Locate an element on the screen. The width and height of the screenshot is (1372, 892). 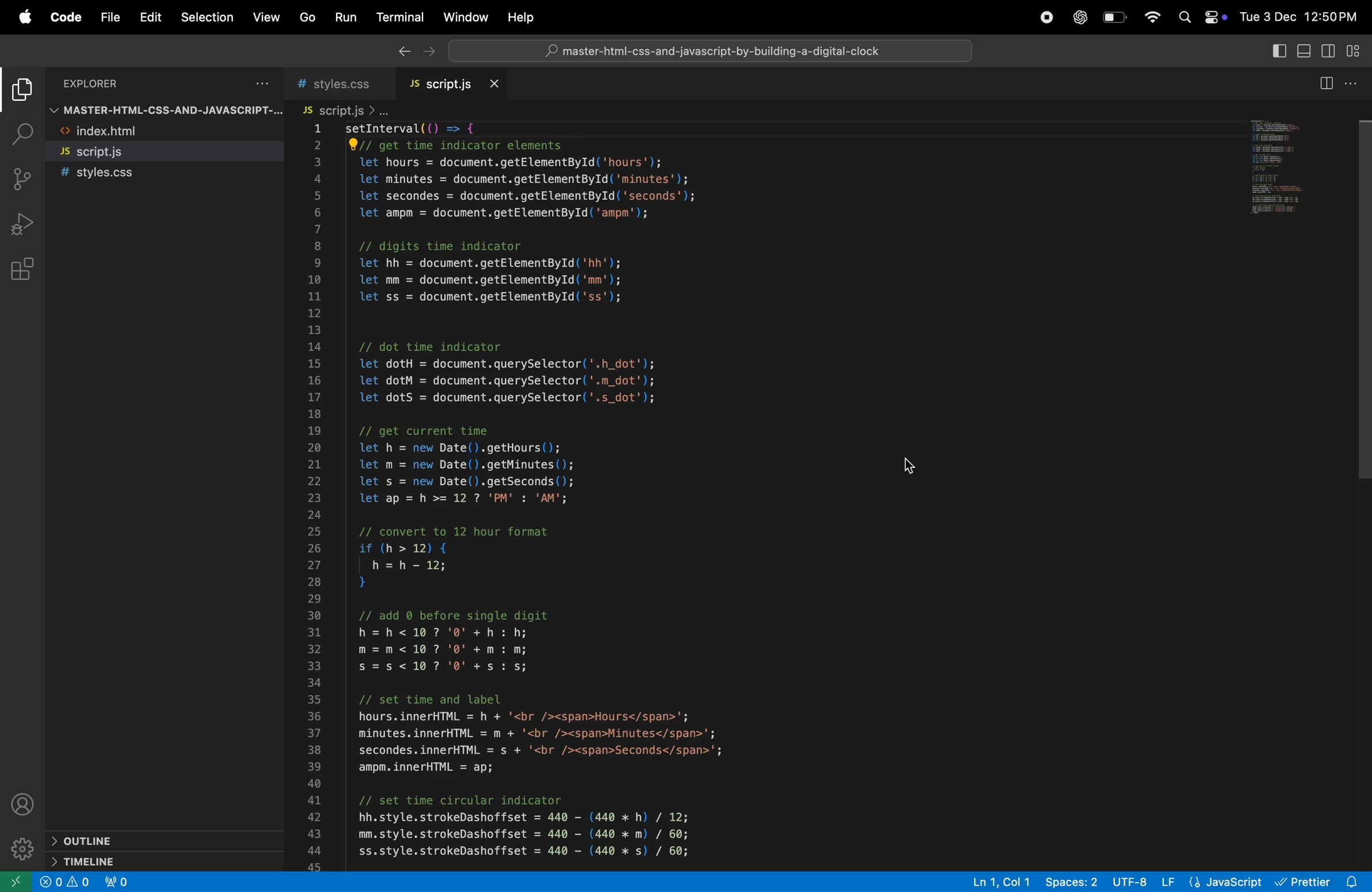
search is located at coordinates (24, 131).